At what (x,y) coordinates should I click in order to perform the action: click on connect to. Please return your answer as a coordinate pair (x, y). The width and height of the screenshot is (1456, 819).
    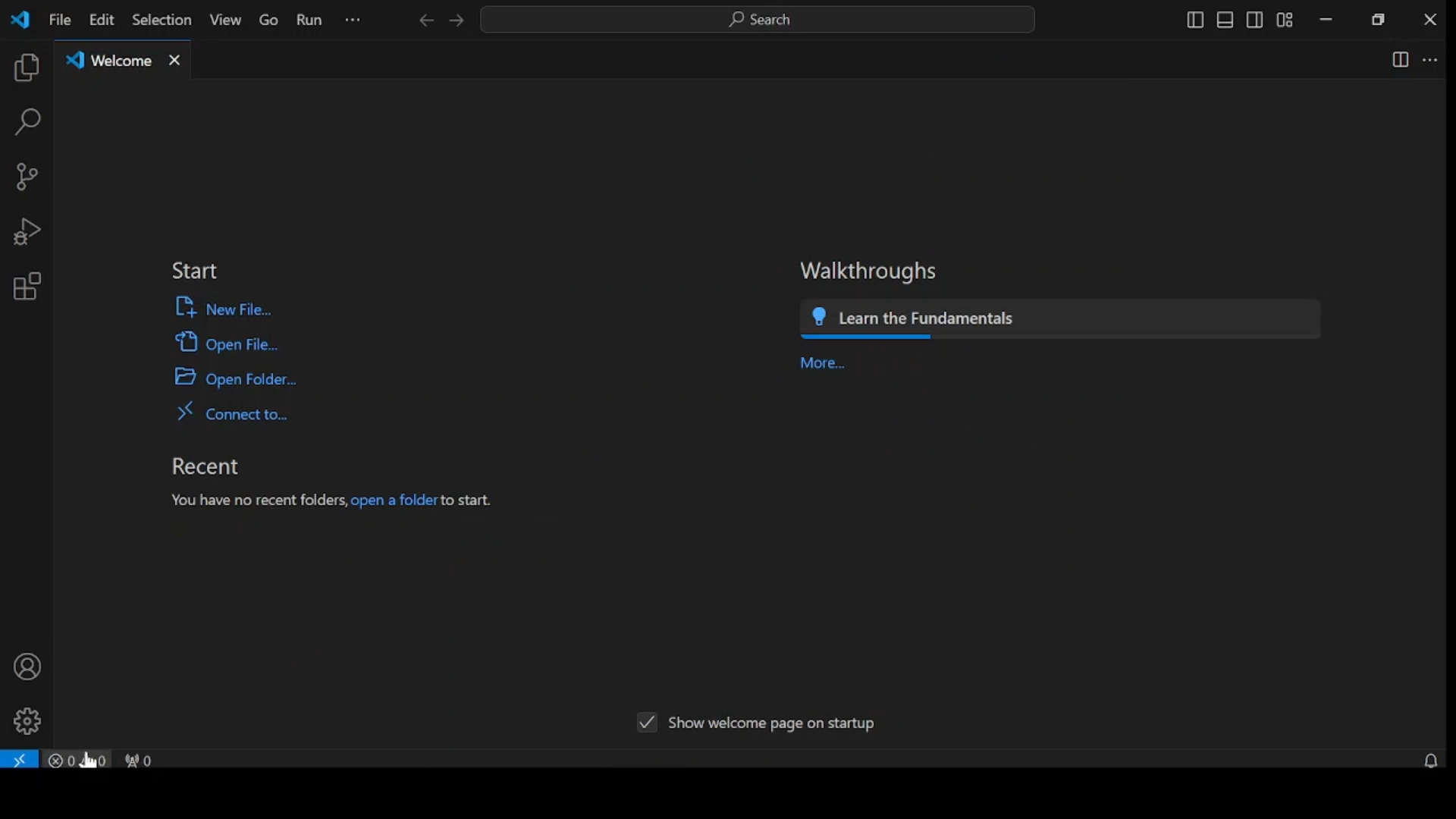
    Looking at the image, I should click on (230, 410).